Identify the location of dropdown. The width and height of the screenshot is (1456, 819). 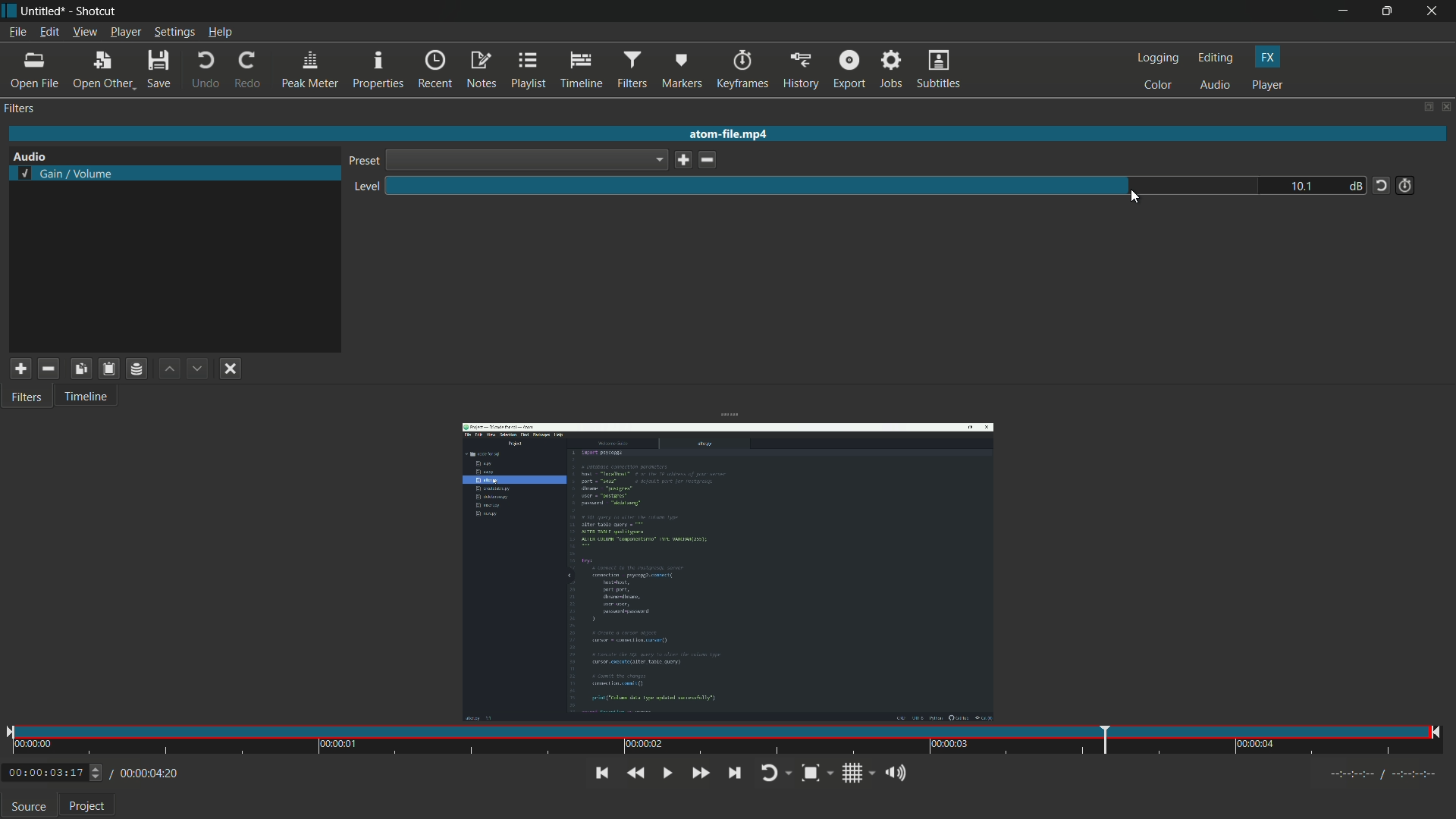
(526, 160).